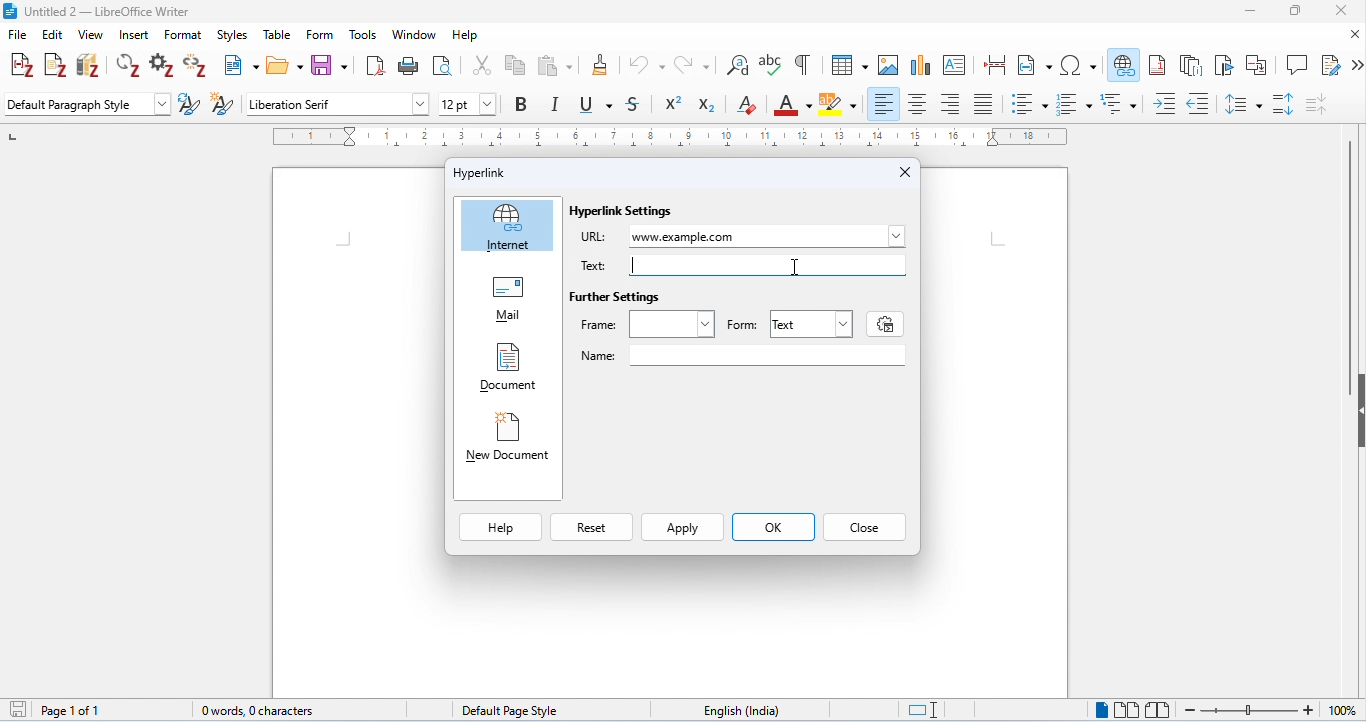 The image size is (1366, 722). I want to click on unlink citations, so click(195, 67).